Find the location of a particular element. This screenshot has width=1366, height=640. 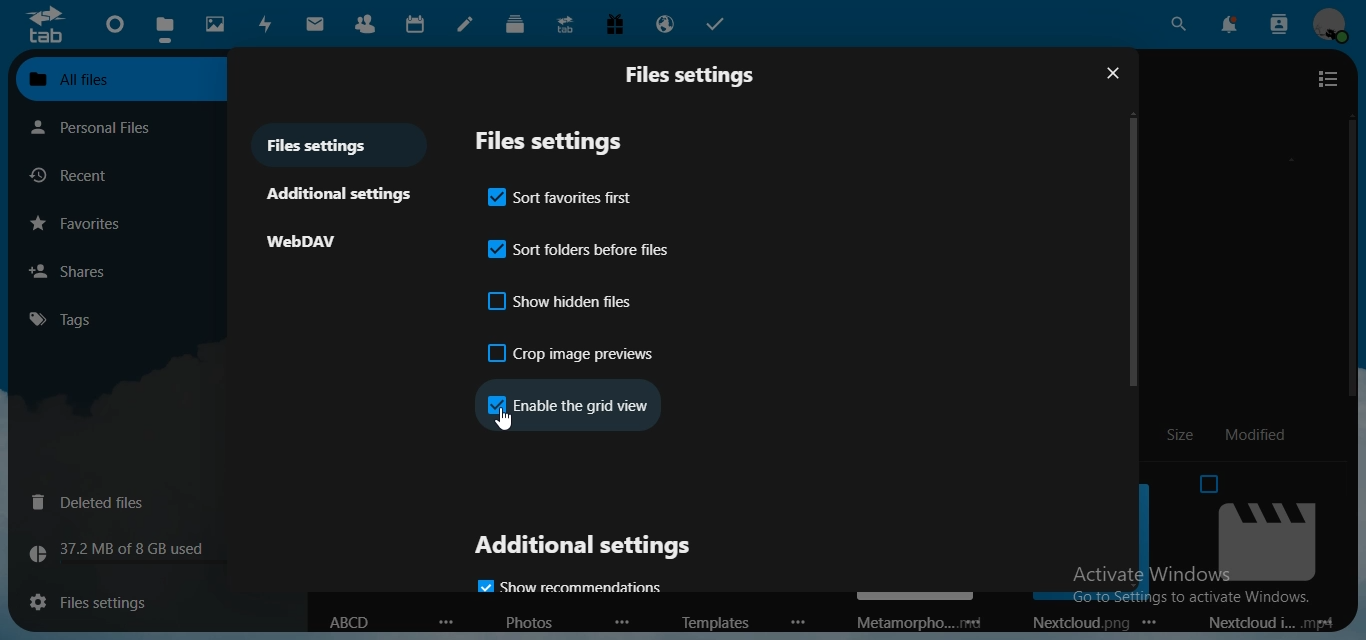

photos is located at coordinates (215, 24).